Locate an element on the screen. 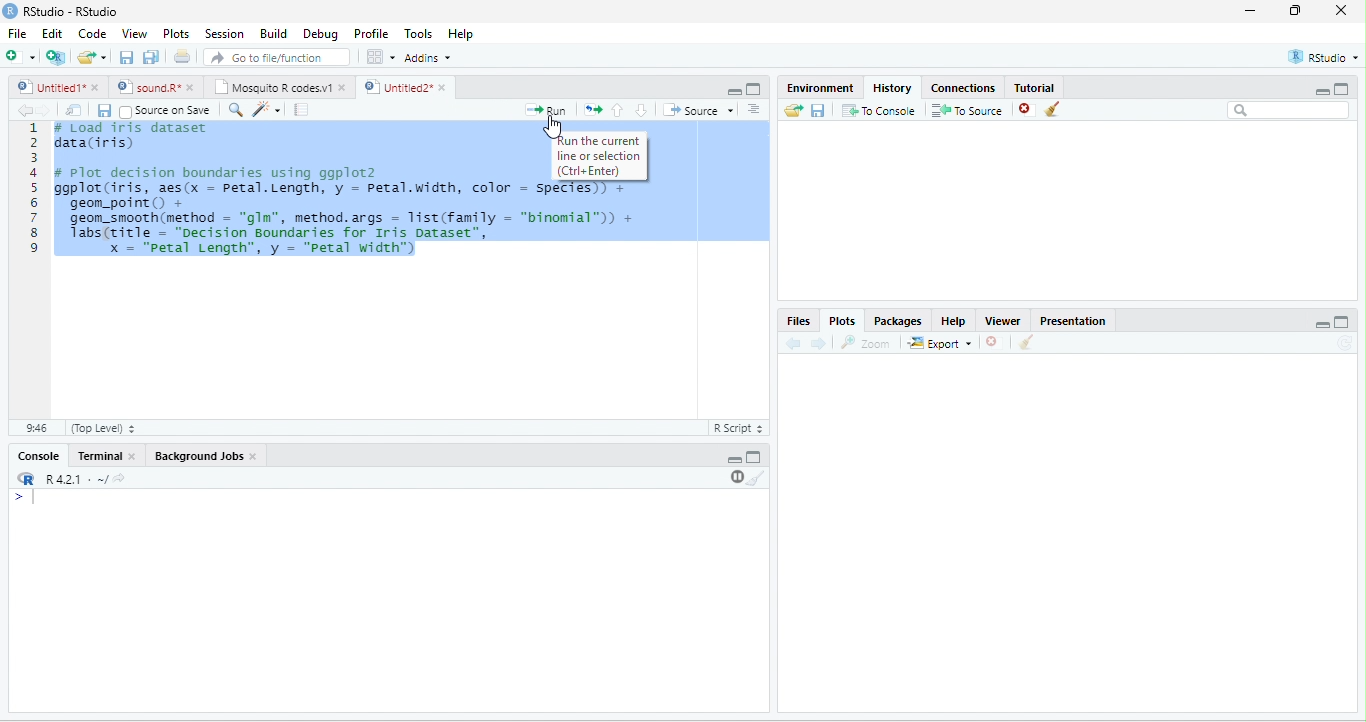  refresh is located at coordinates (1344, 343).